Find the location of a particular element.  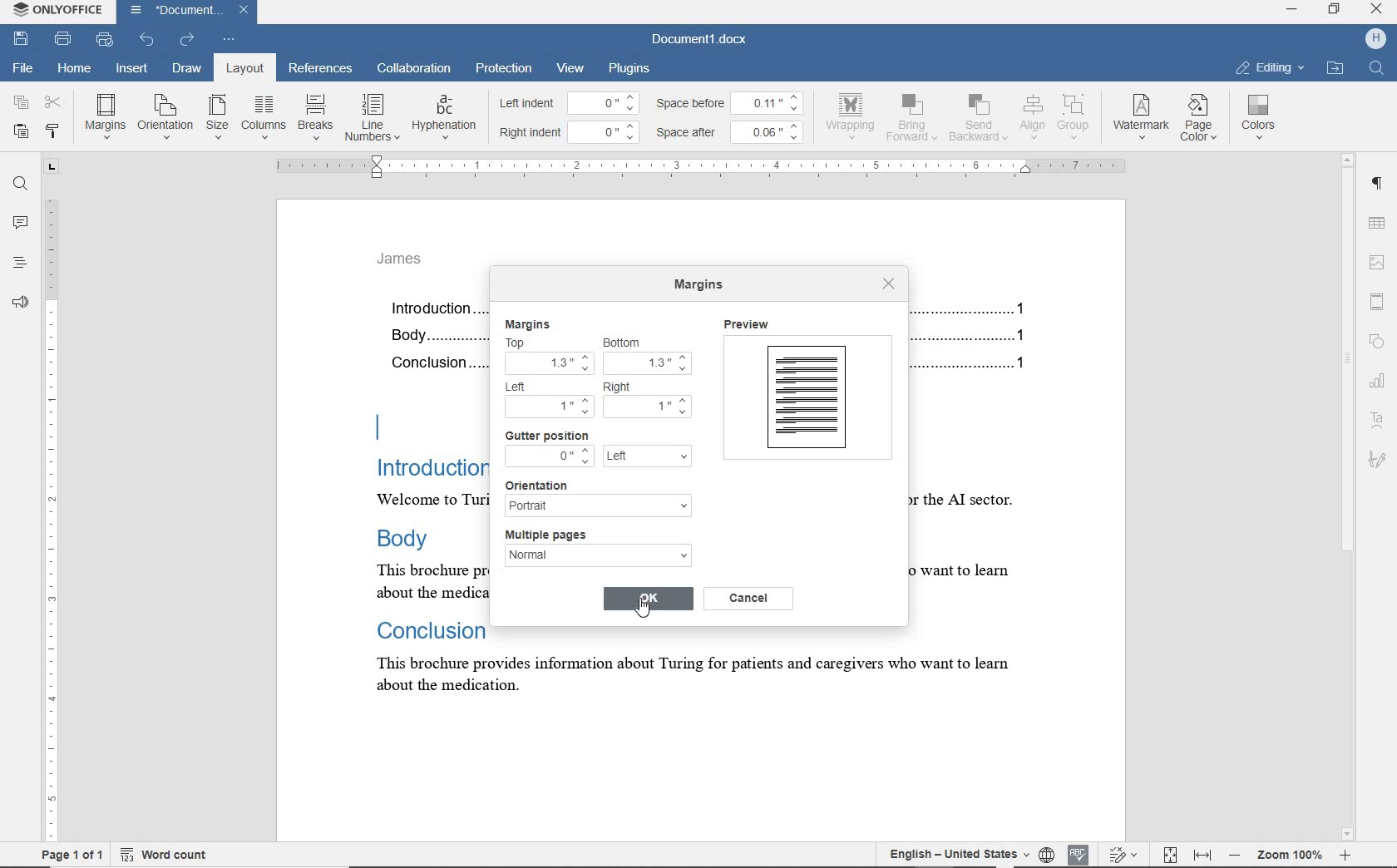

group is located at coordinates (1074, 116).